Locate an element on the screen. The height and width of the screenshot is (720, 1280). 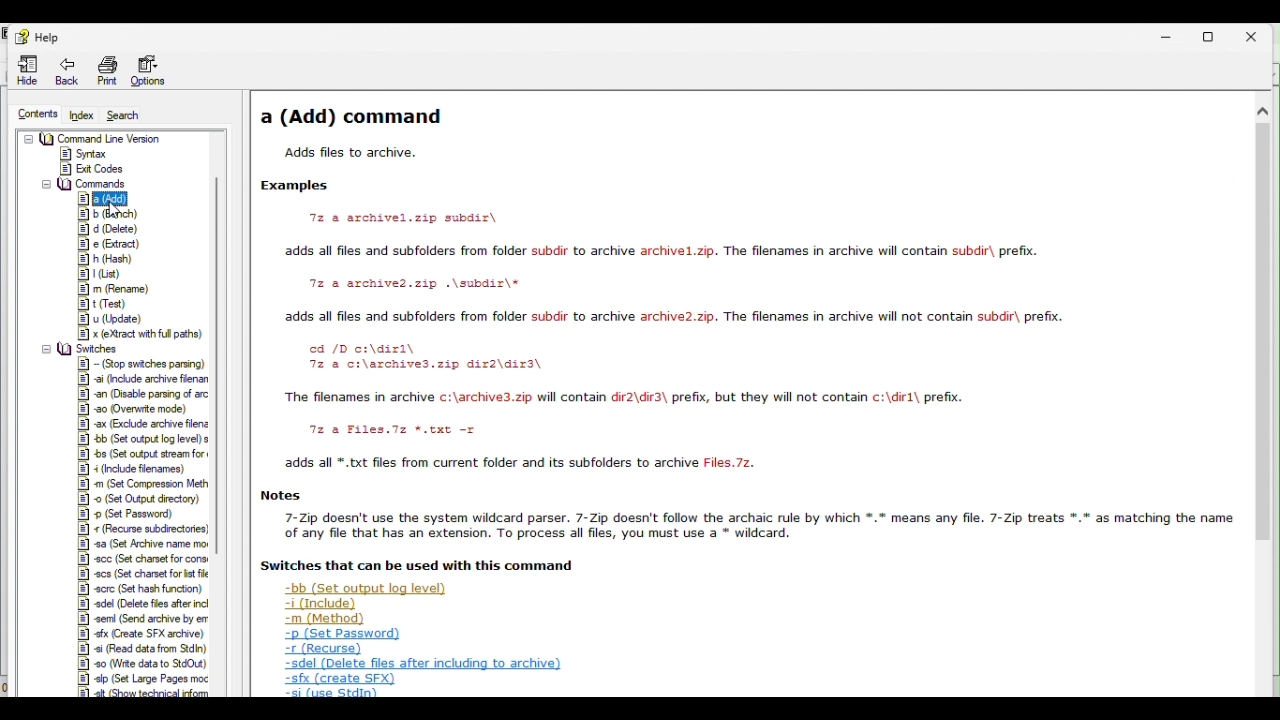
-bb is located at coordinates (362, 589).